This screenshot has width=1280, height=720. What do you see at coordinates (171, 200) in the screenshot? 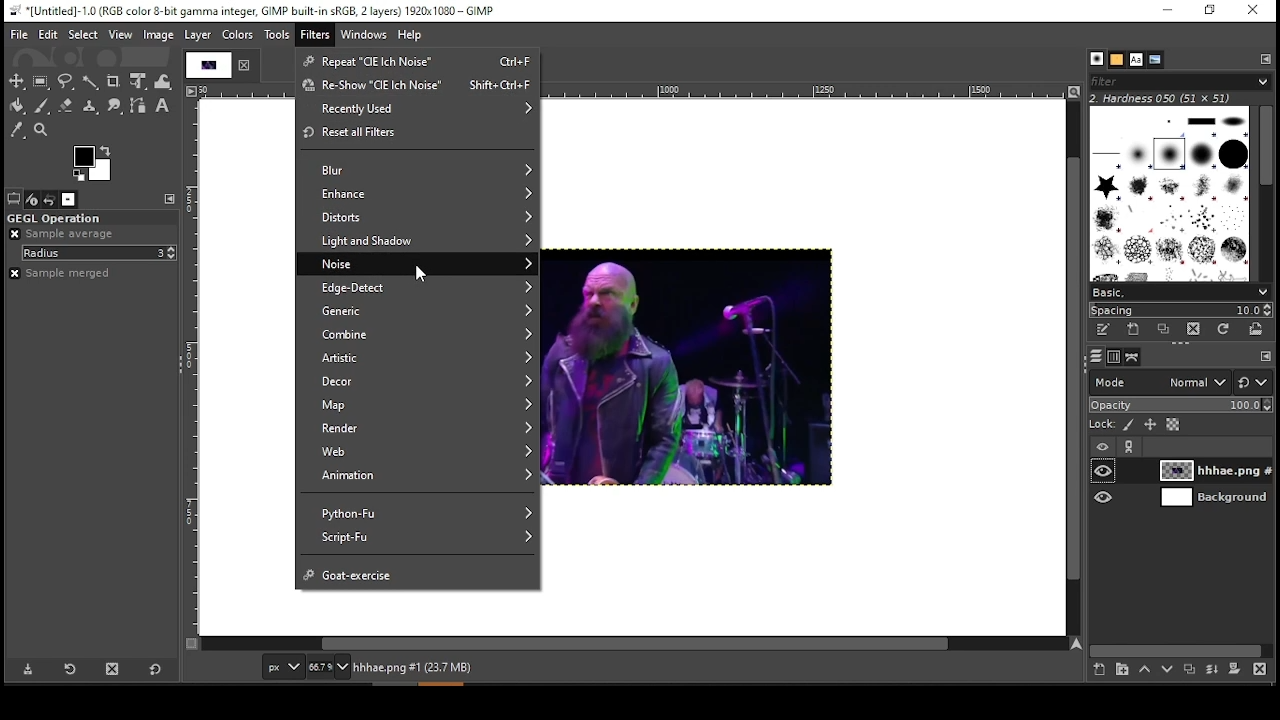
I see `configure this tab` at bounding box center [171, 200].